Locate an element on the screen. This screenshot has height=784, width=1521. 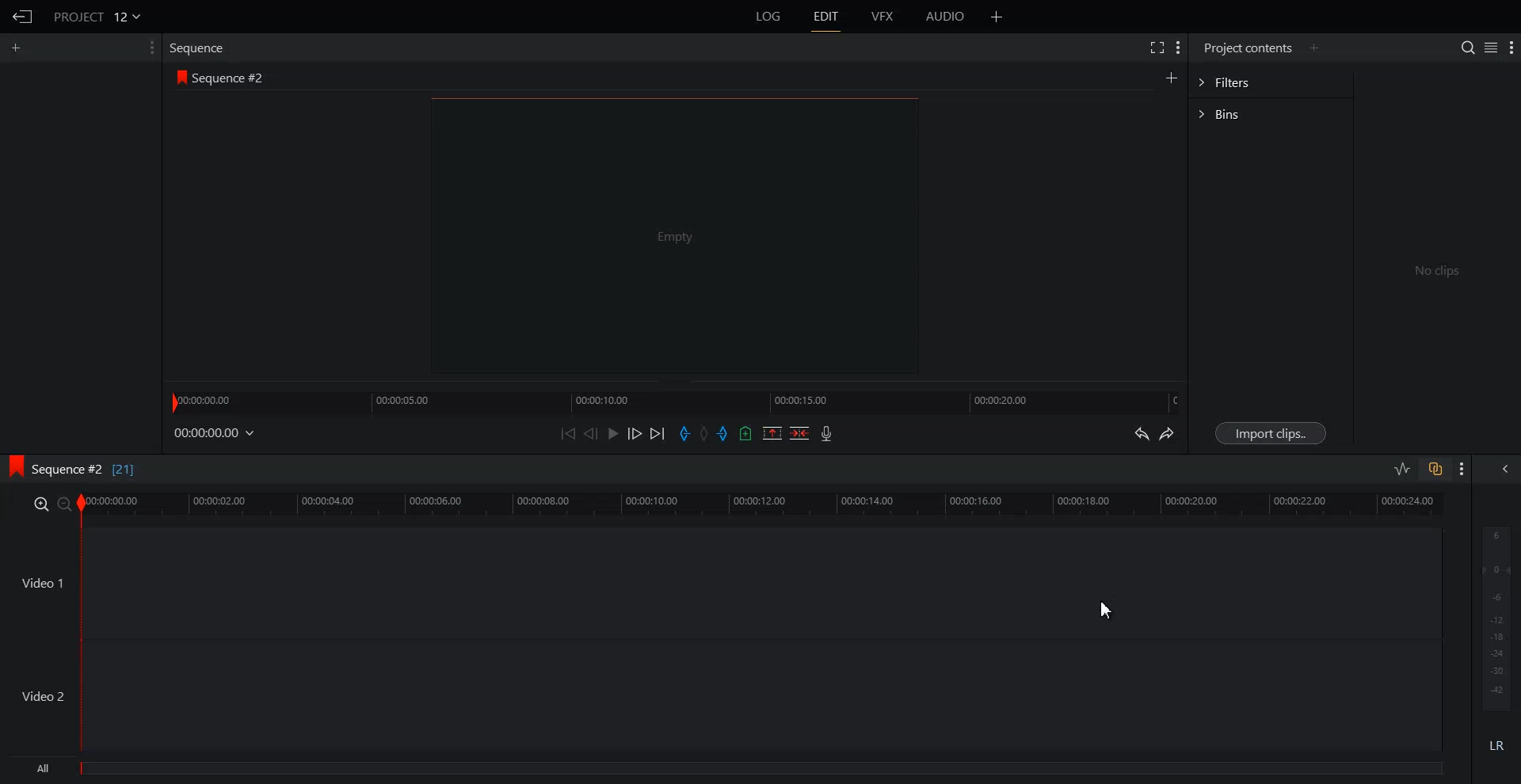
Undo is located at coordinates (1141, 433).